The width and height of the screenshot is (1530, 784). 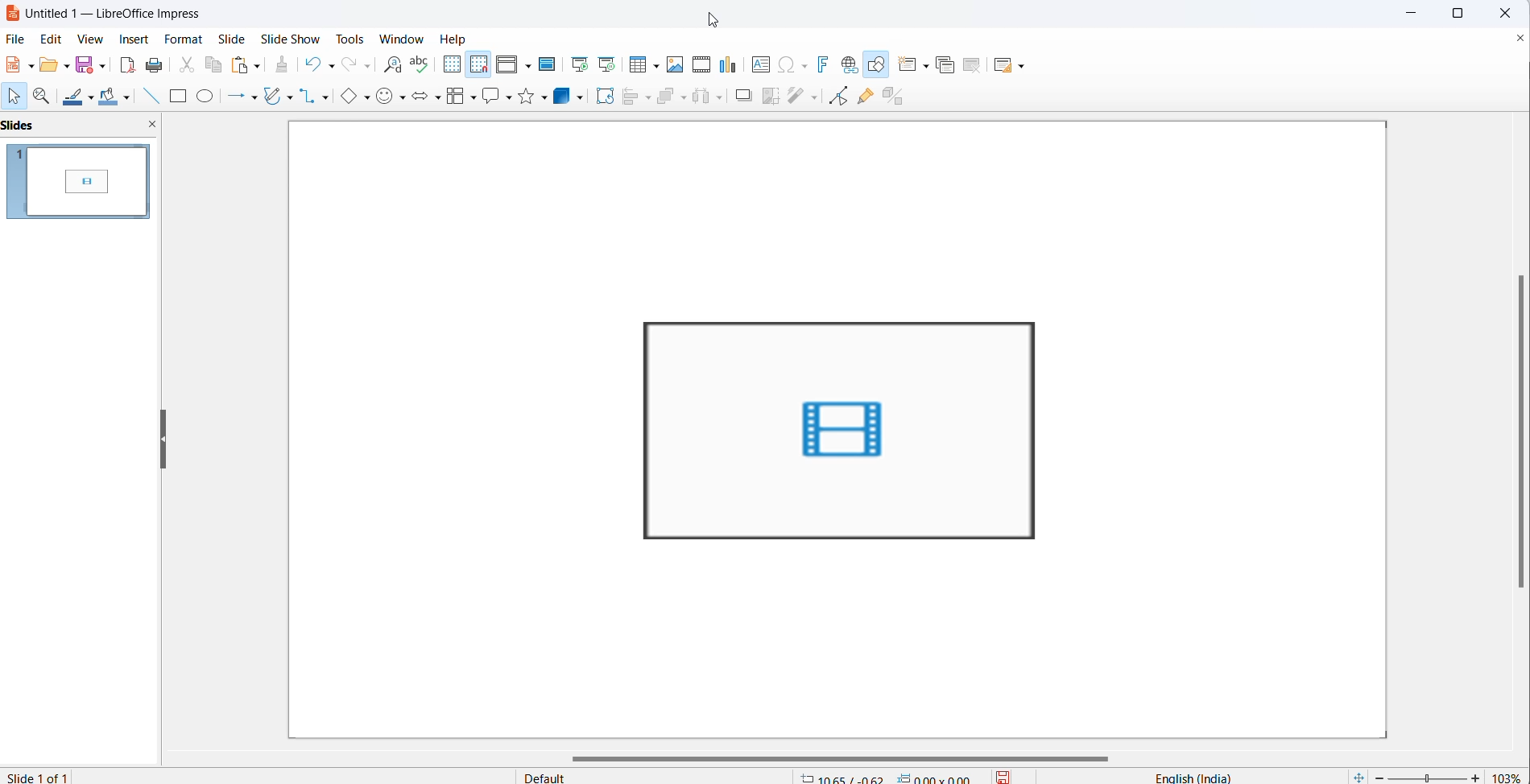 I want to click on toggle extrusion, so click(x=895, y=99).